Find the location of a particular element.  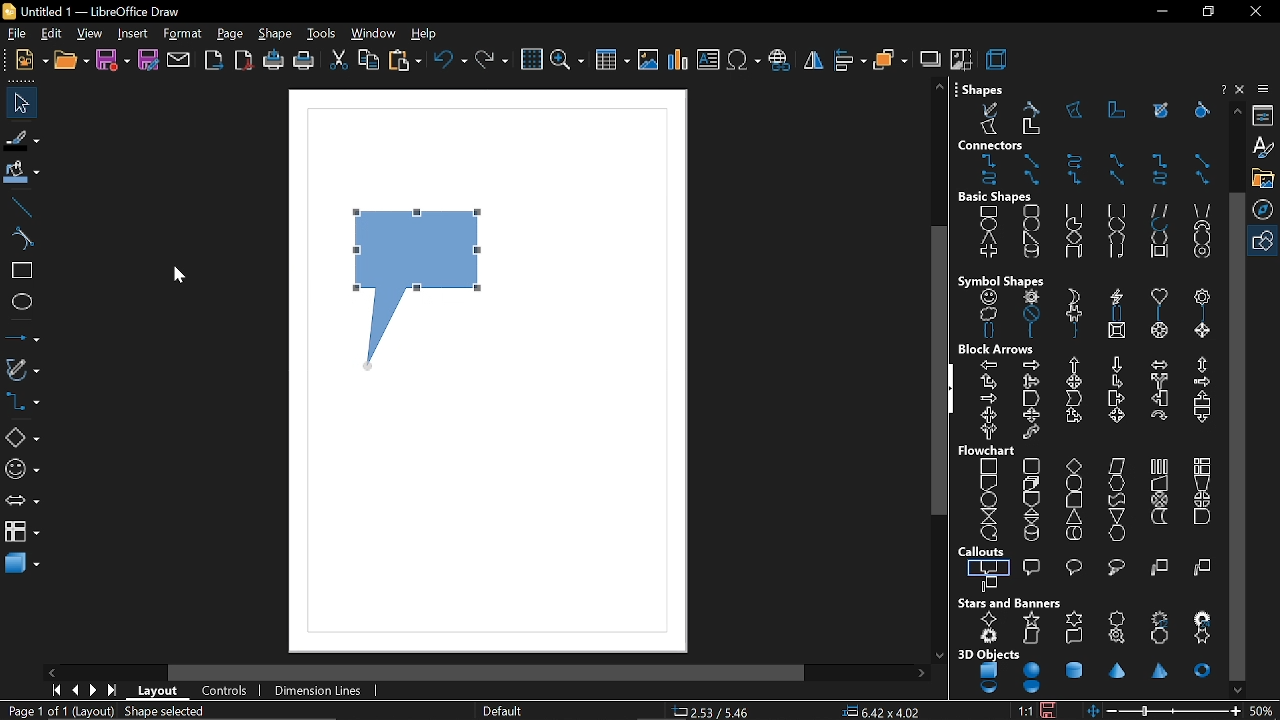

terminator is located at coordinates (1072, 483).